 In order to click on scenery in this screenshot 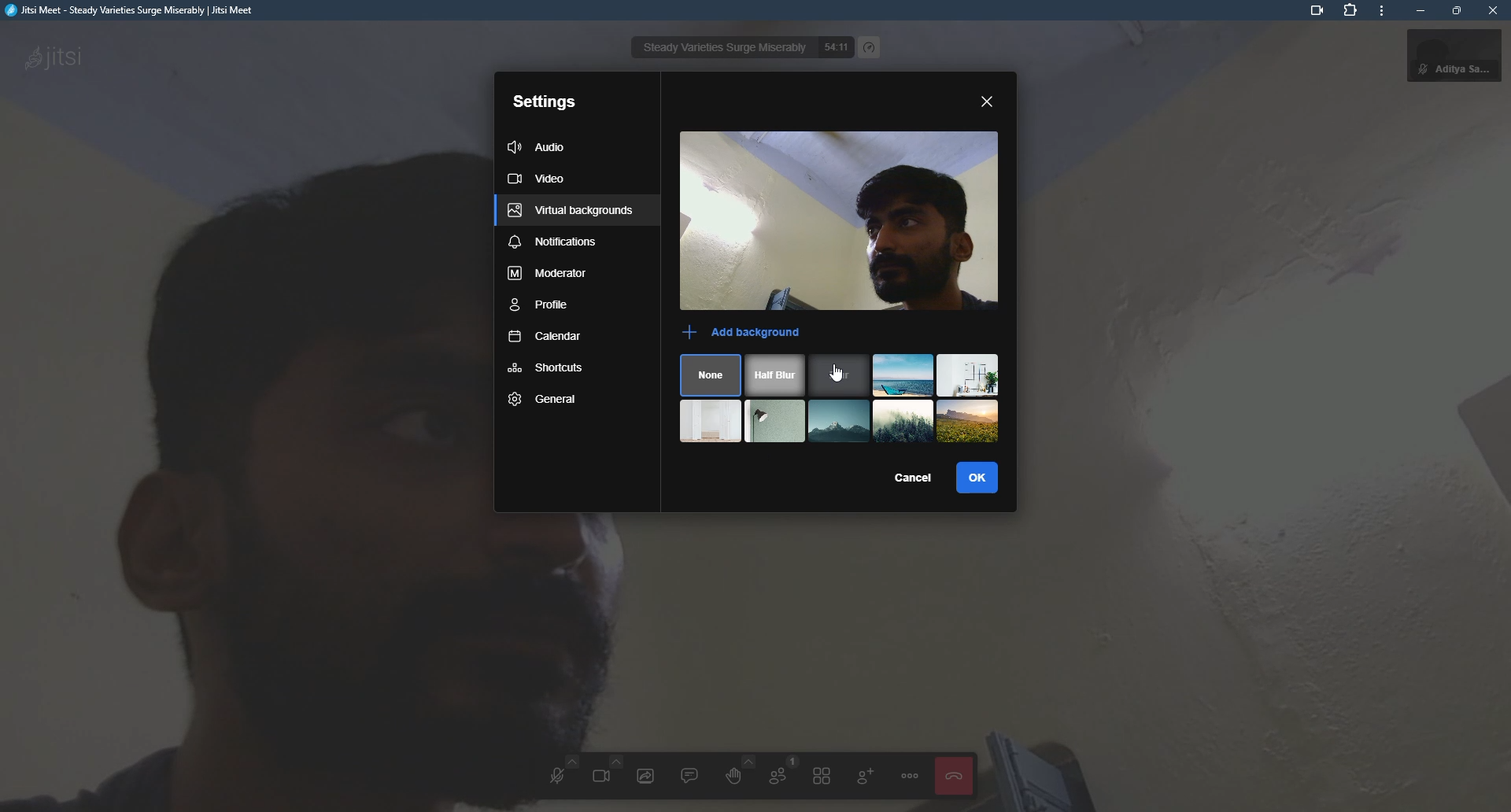, I will do `click(777, 420)`.